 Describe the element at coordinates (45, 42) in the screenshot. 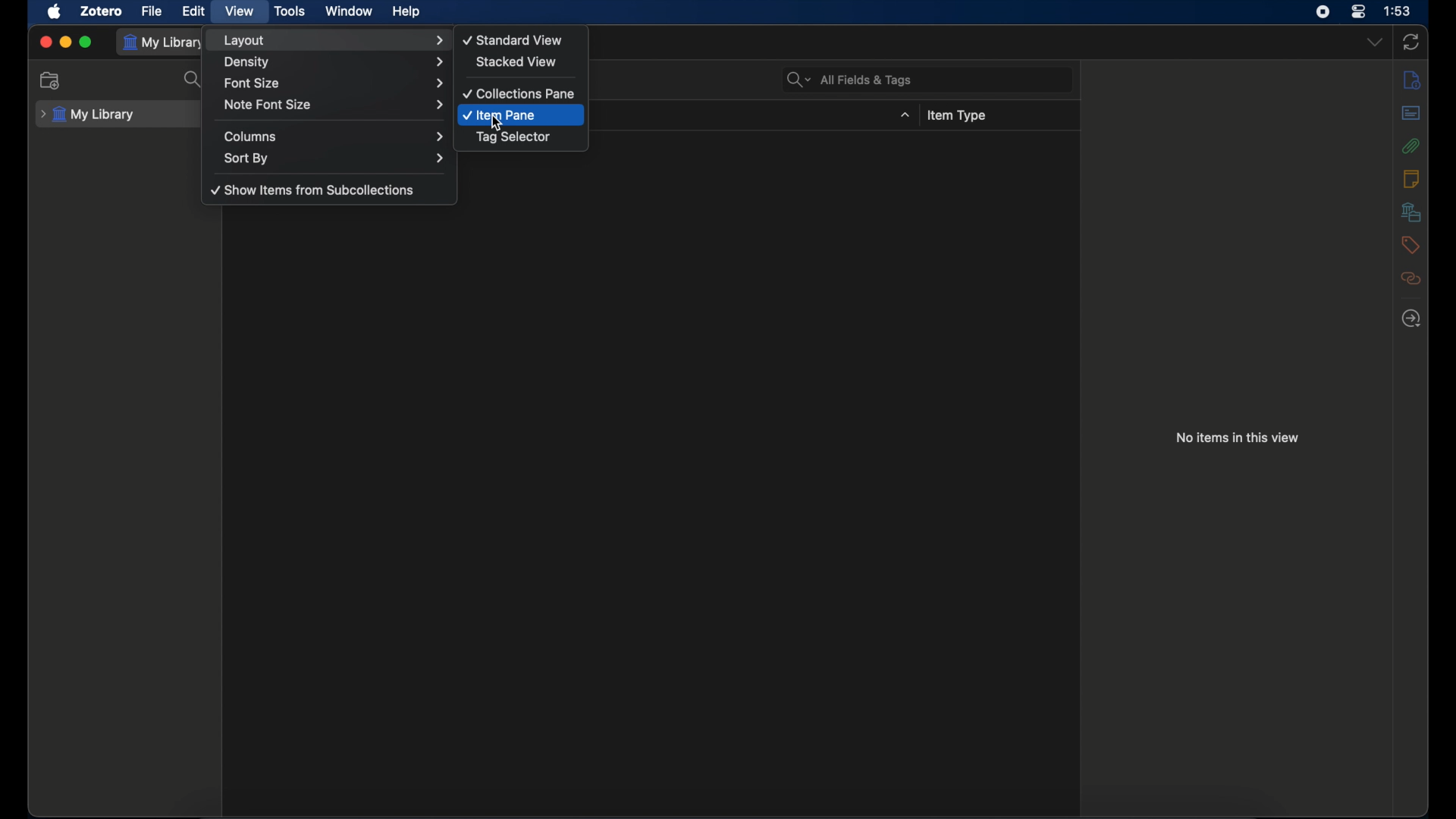

I see `close` at that location.